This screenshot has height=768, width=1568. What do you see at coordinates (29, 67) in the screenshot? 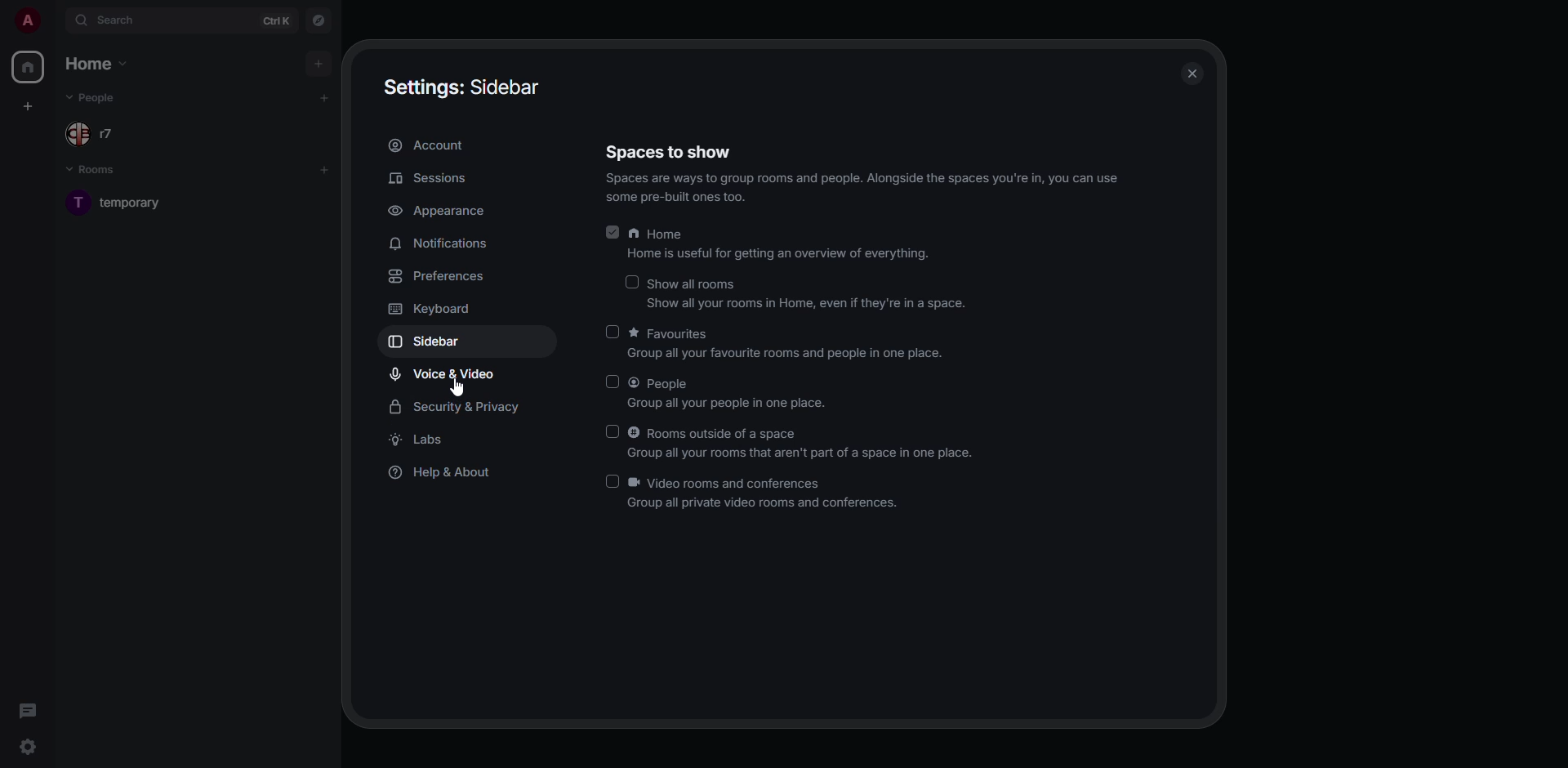
I see `home` at bounding box center [29, 67].